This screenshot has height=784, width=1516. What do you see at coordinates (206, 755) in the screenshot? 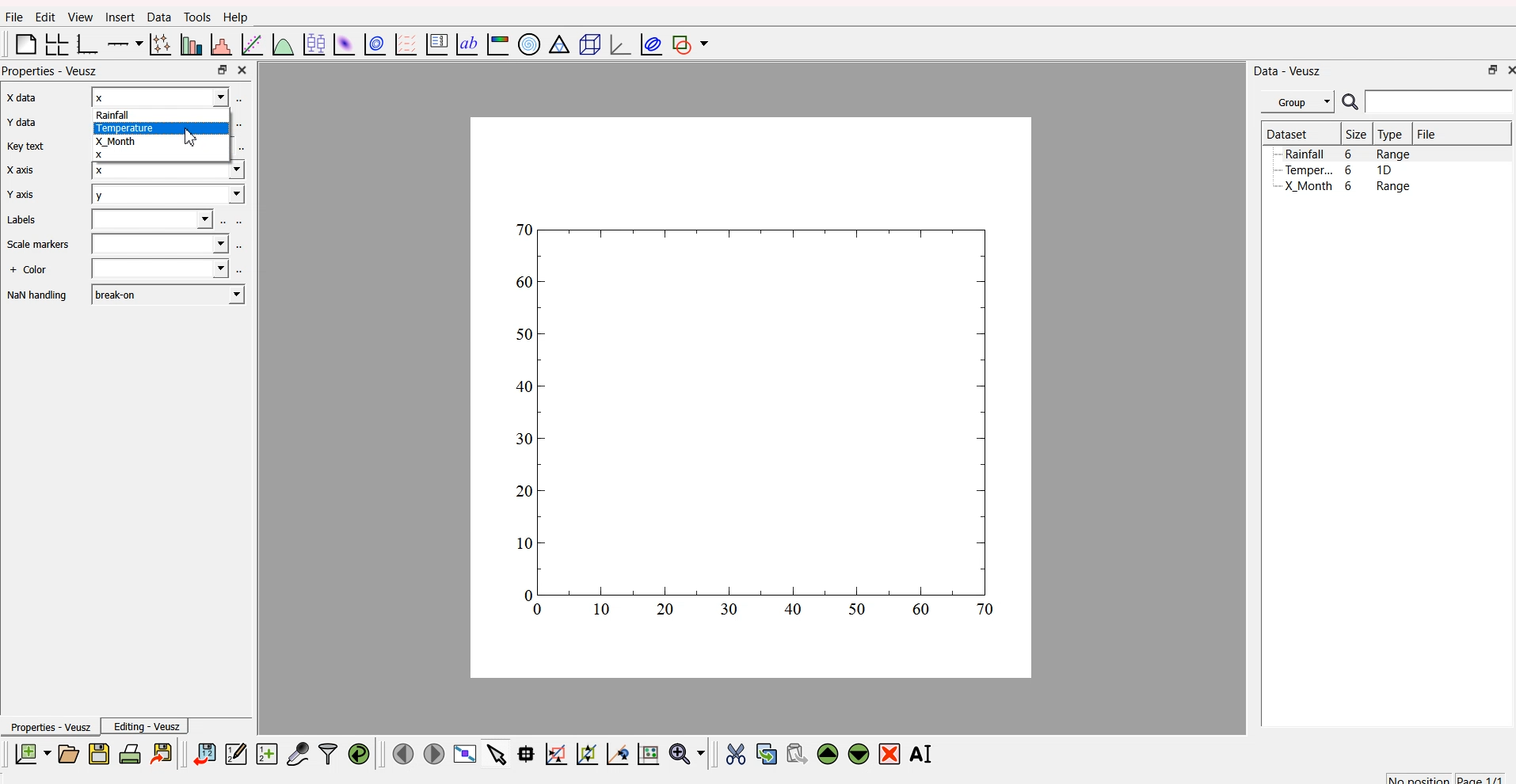
I see `import data` at bounding box center [206, 755].